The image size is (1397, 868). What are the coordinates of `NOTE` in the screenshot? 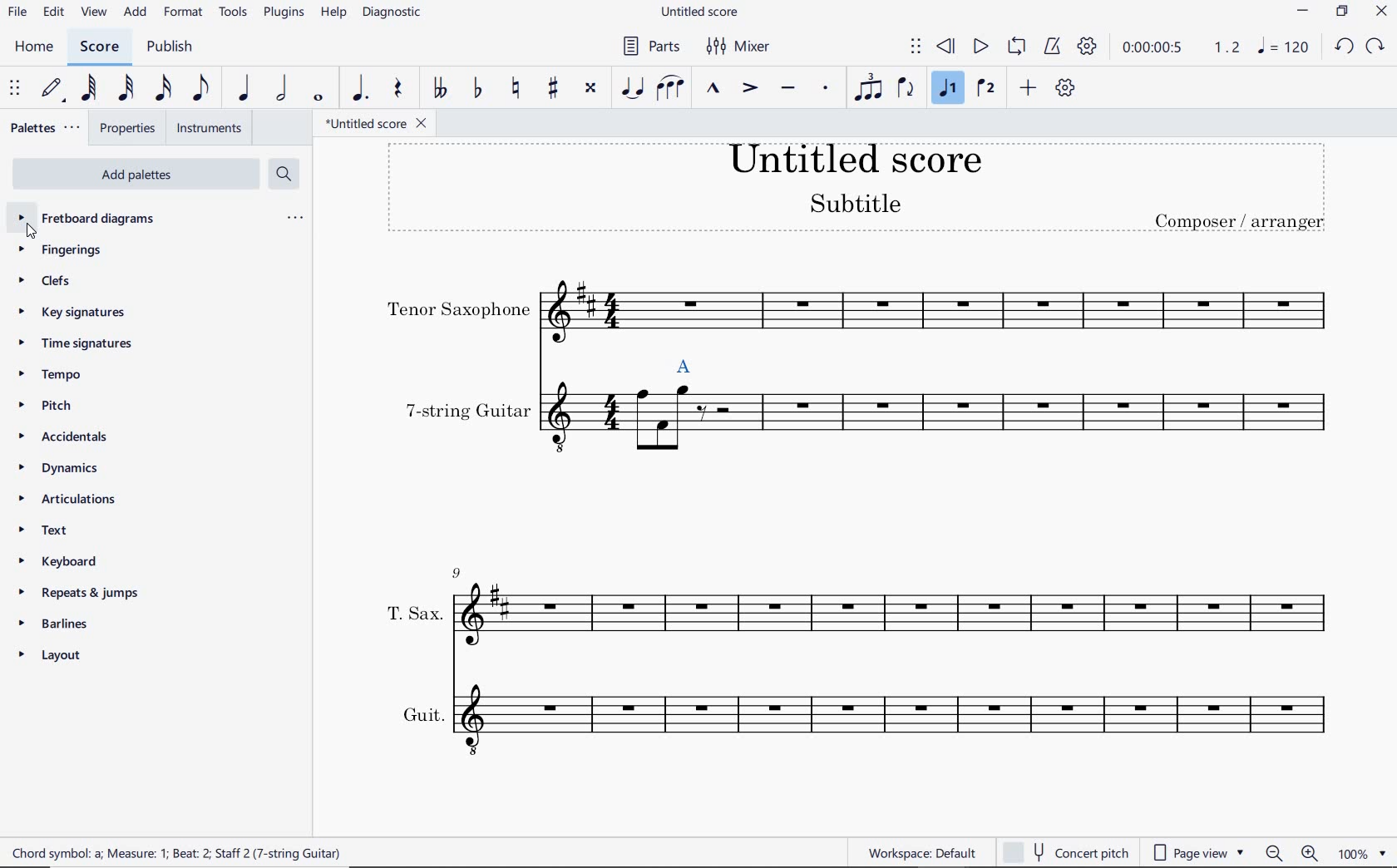 It's located at (1287, 48).